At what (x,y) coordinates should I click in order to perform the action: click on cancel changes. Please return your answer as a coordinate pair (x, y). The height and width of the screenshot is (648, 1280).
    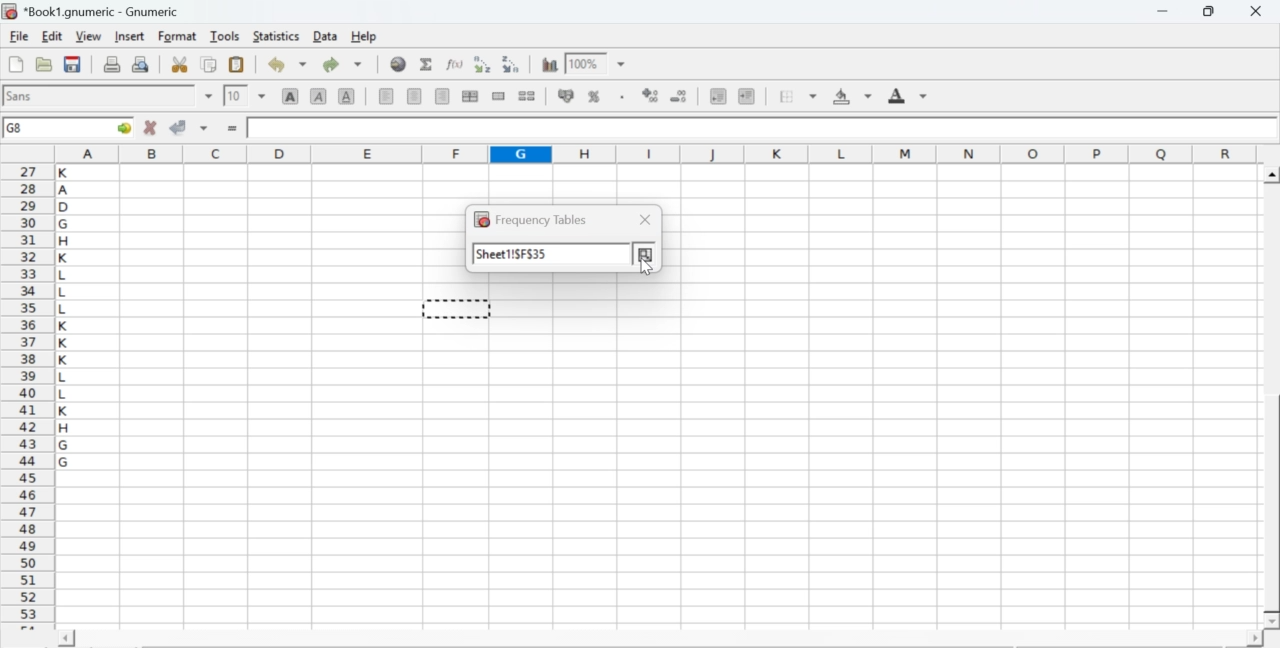
    Looking at the image, I should click on (151, 127).